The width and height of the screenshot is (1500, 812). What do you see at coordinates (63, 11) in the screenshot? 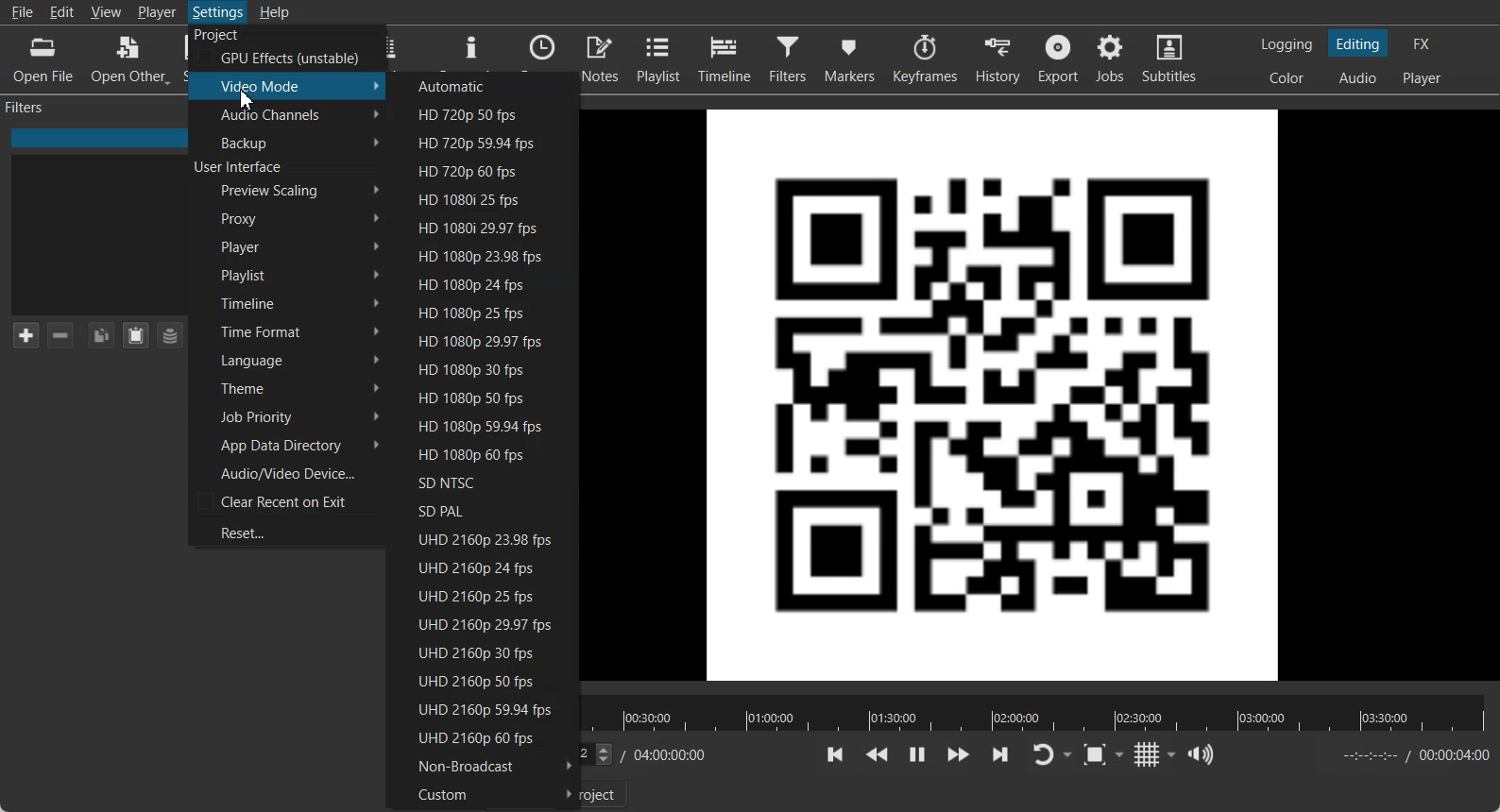
I see `Edit` at bounding box center [63, 11].